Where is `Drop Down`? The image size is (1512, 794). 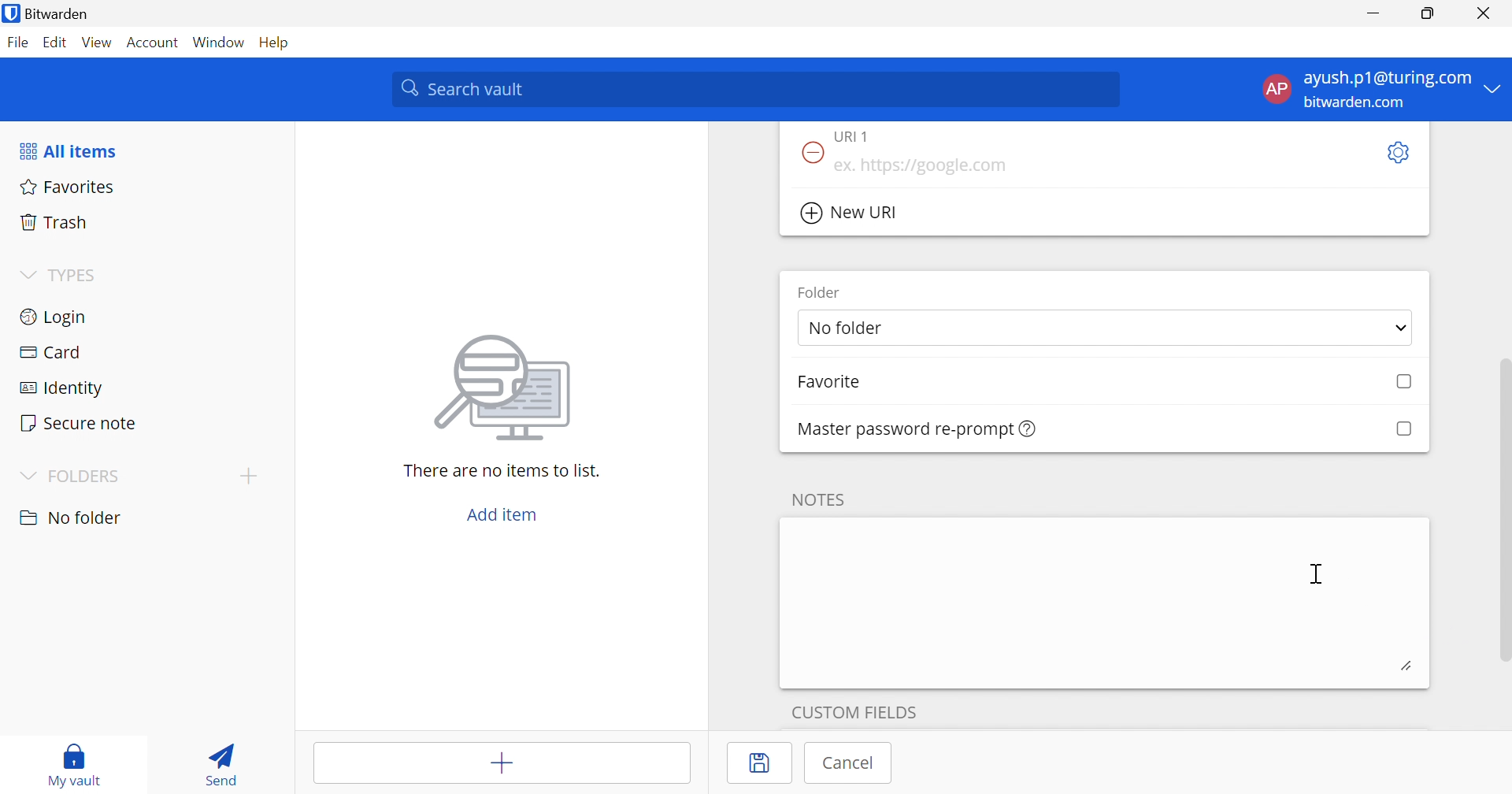 Drop Down is located at coordinates (25, 477).